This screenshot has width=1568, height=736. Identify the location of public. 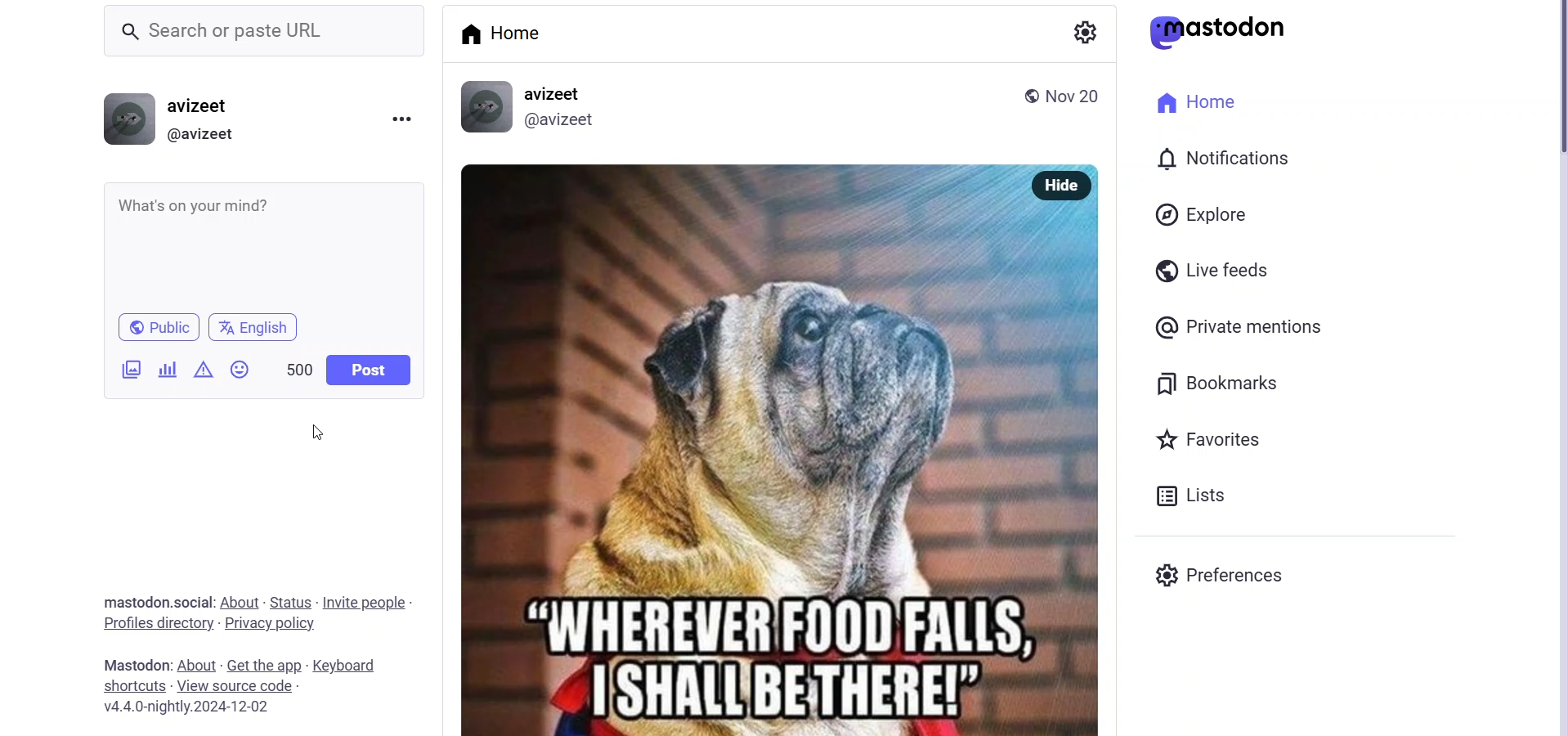
(155, 326).